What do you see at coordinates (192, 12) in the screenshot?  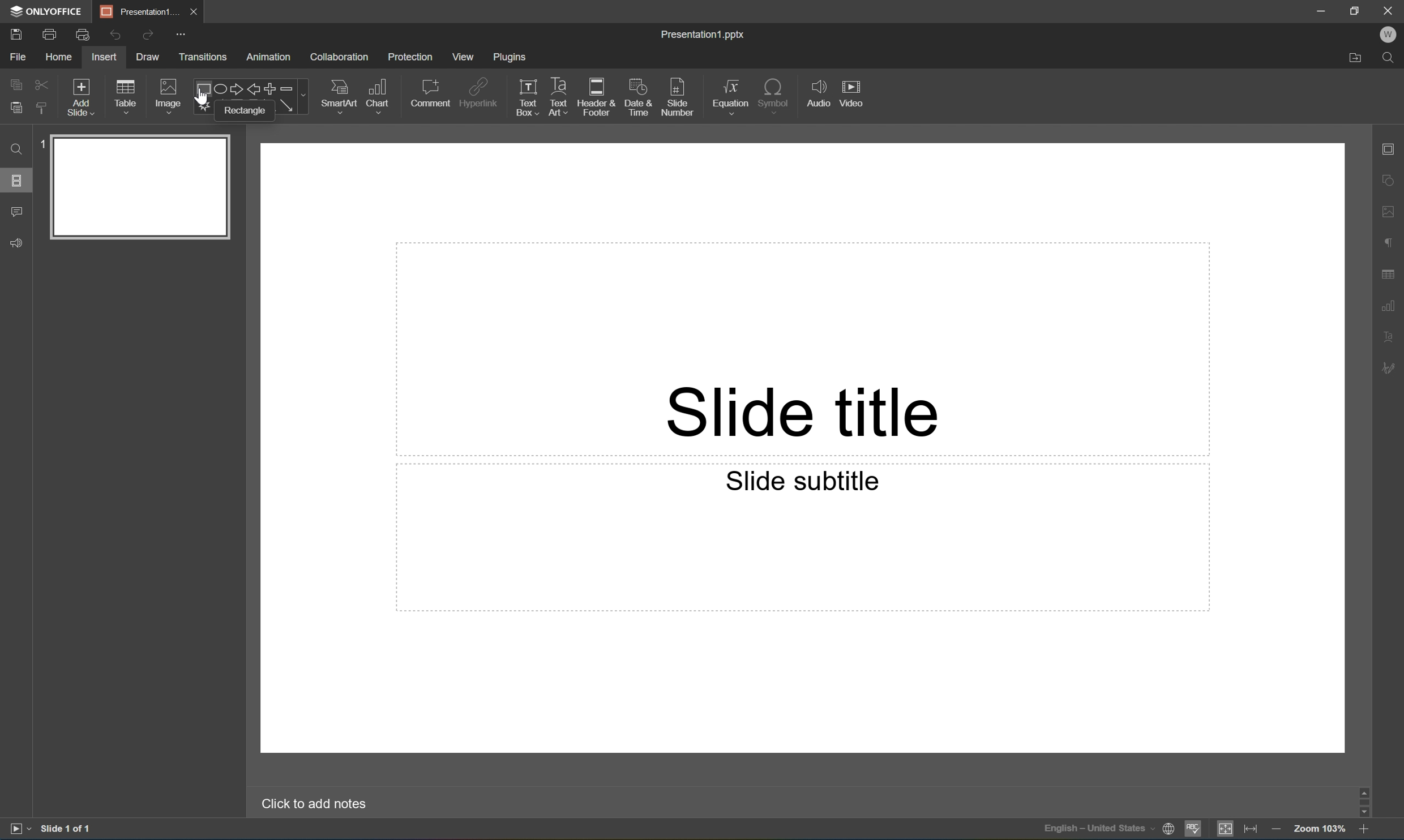 I see `Close` at bounding box center [192, 12].